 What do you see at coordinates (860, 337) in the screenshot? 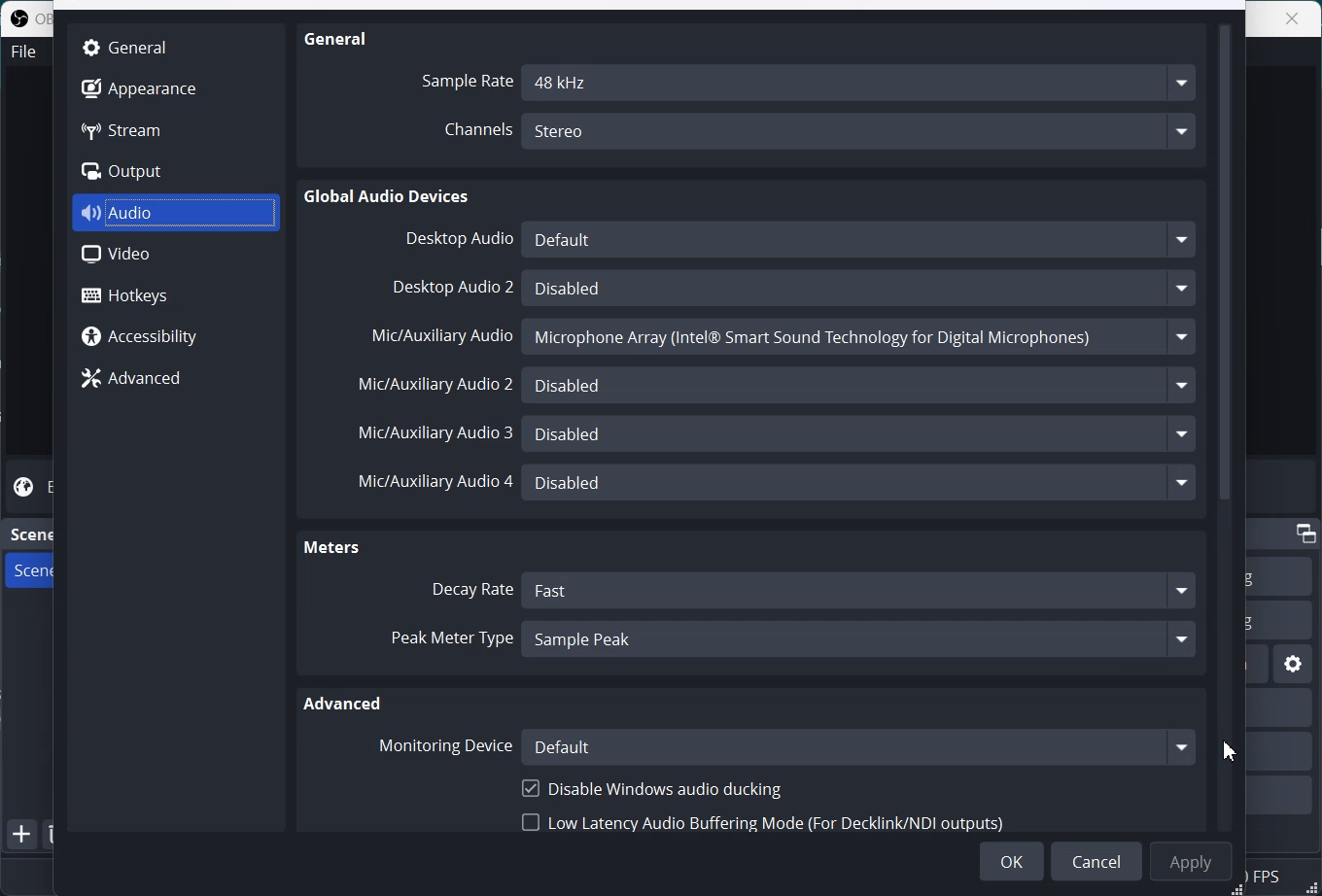
I see `Microphone Array (Intel® Smart Sound Technology for Digital Microphones)` at bounding box center [860, 337].